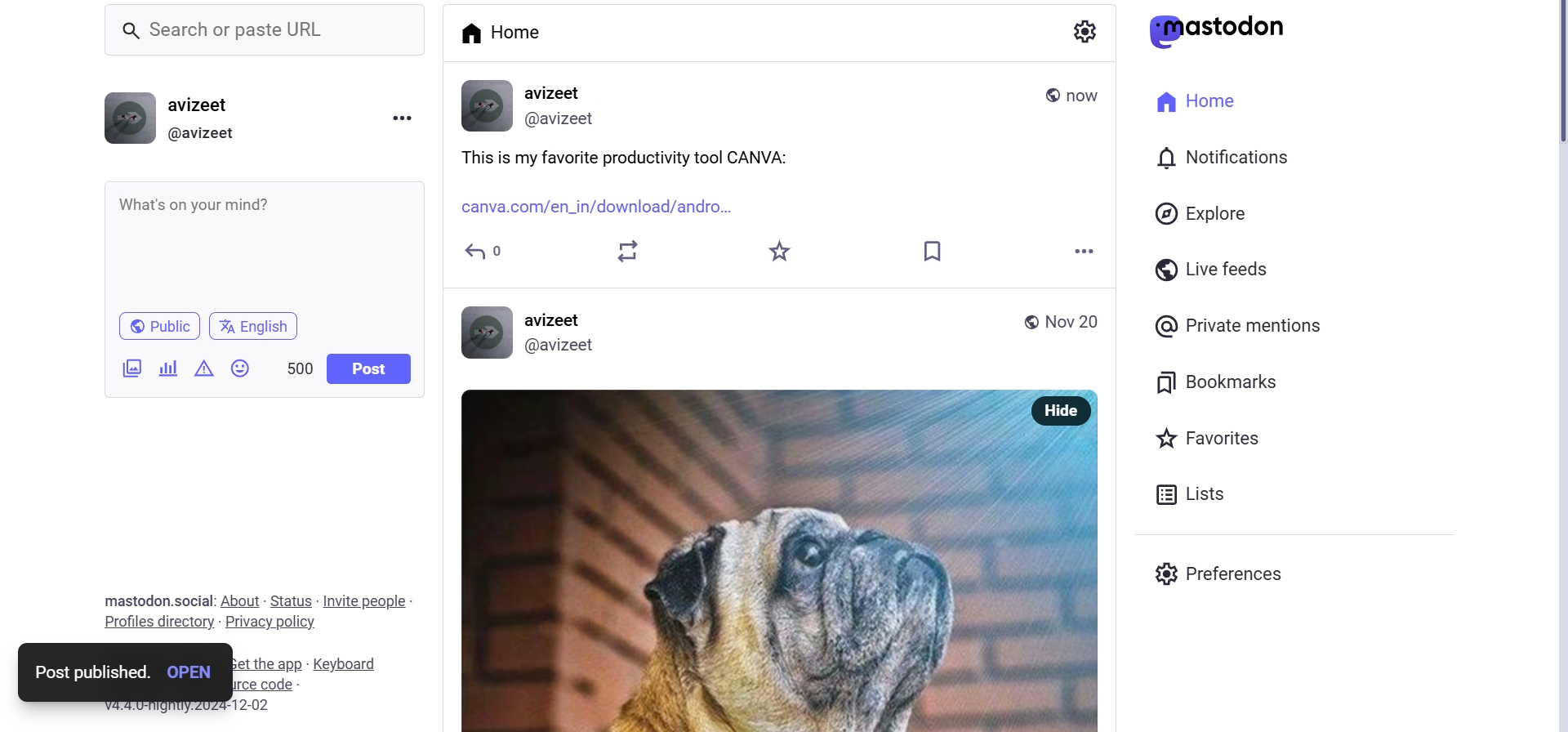 Image resolution: width=1568 pixels, height=732 pixels. I want to click on bookmark, so click(945, 251).